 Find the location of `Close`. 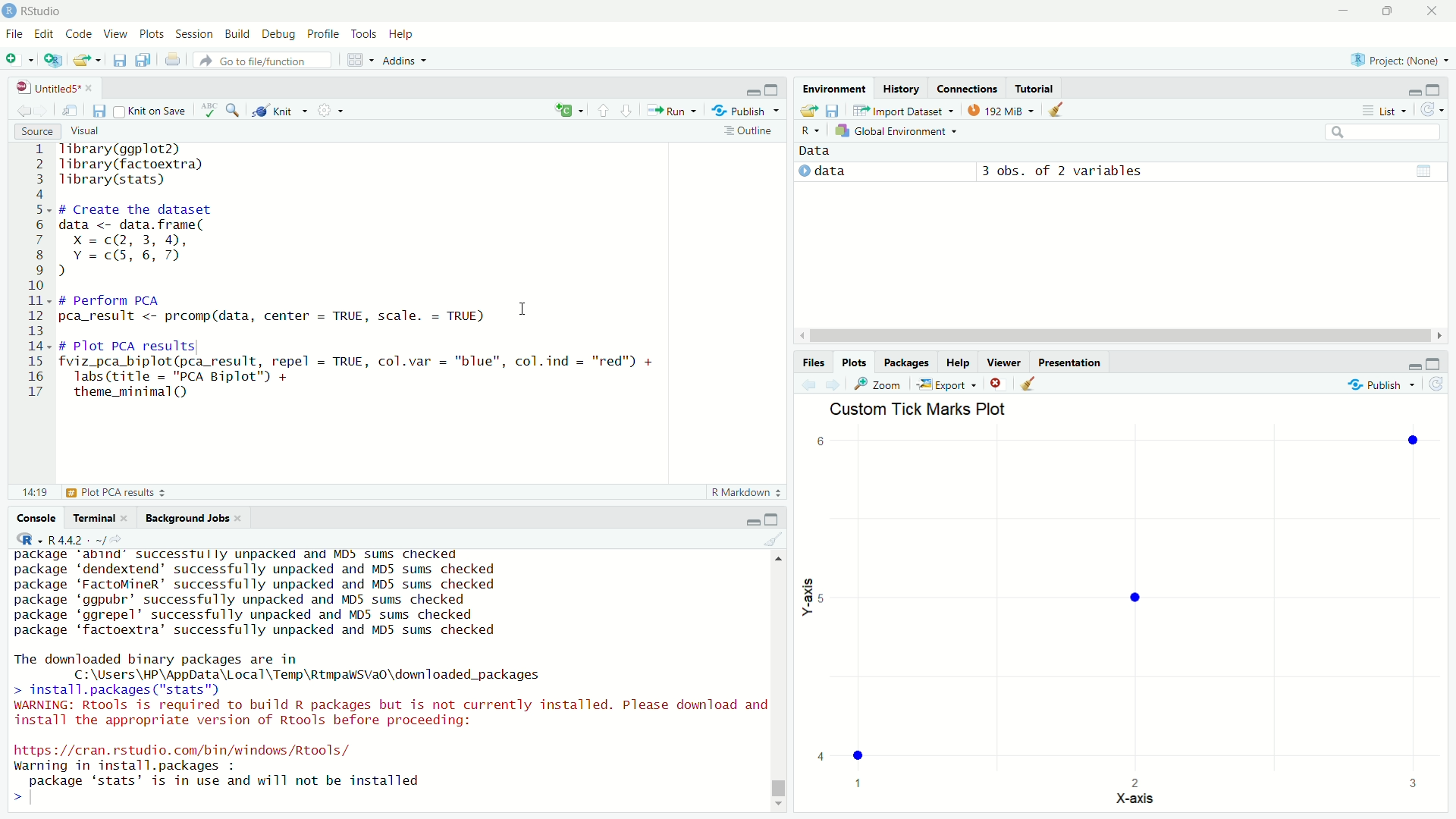

Close is located at coordinates (1432, 11).